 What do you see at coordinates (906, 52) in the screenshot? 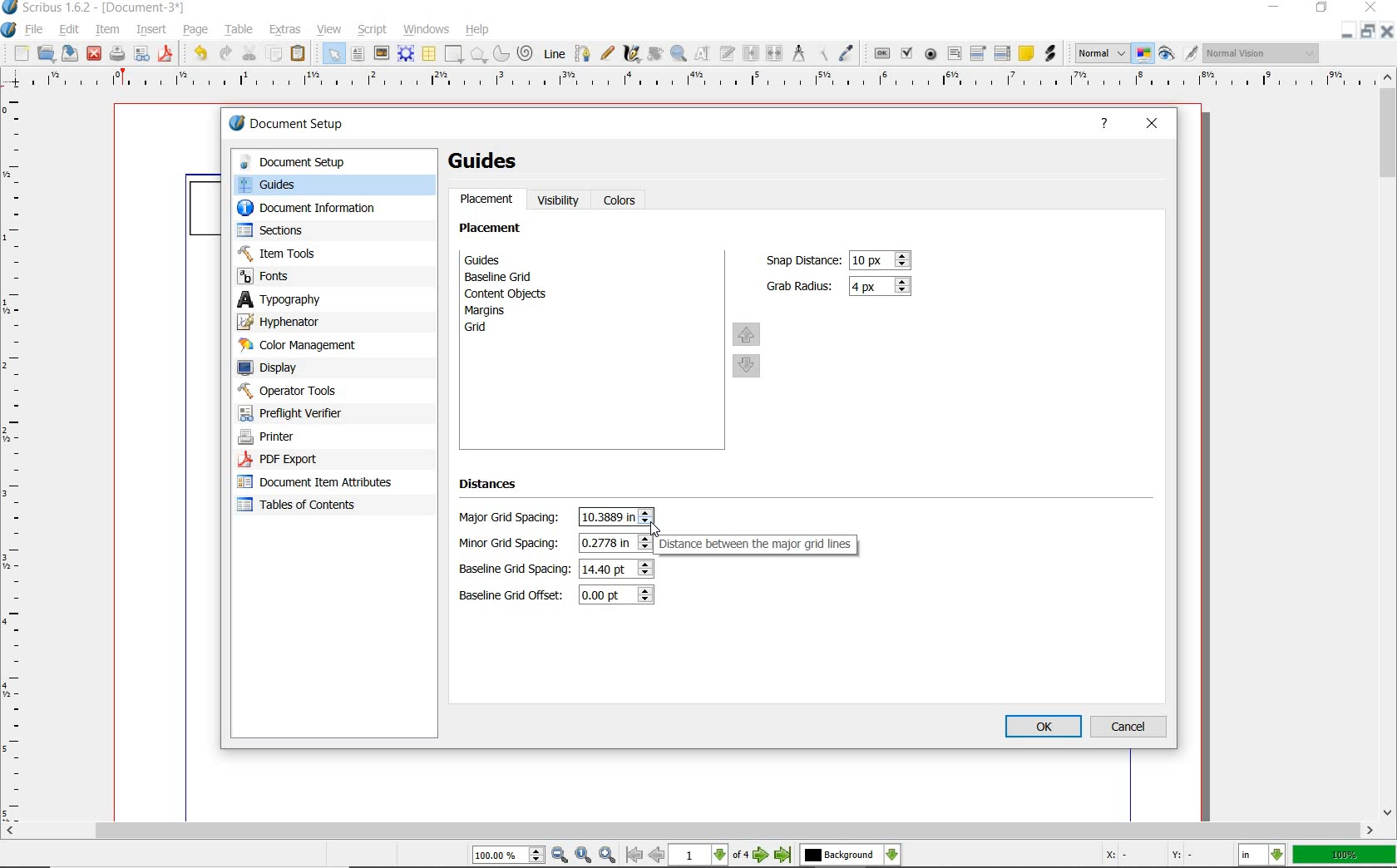
I see `pdf check box` at bounding box center [906, 52].